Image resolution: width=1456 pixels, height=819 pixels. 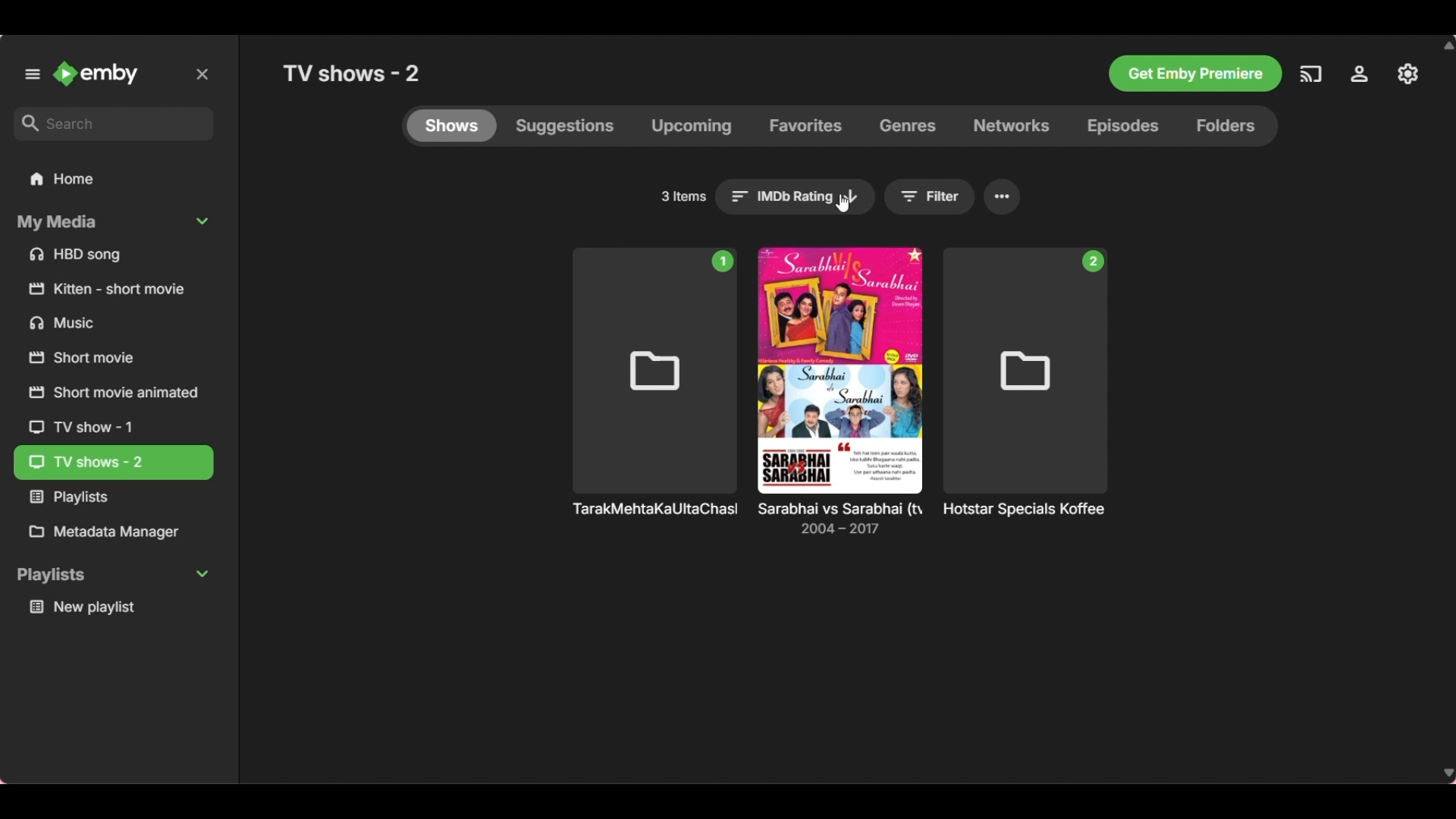 I want to click on Favorites, so click(x=805, y=126).